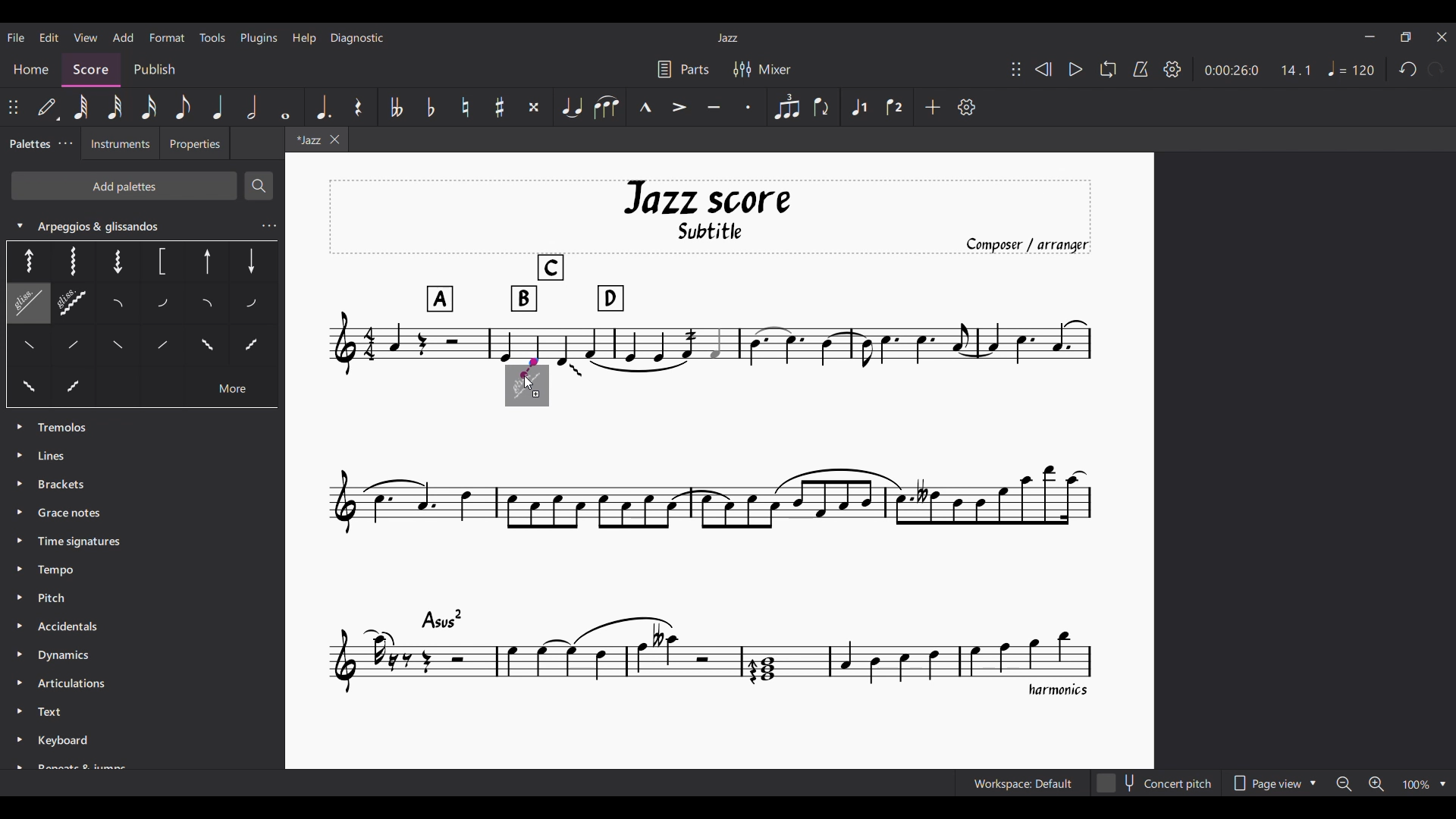 The height and width of the screenshot is (819, 1456). Describe the element at coordinates (1024, 783) in the screenshot. I see `Current workspace setting` at that location.